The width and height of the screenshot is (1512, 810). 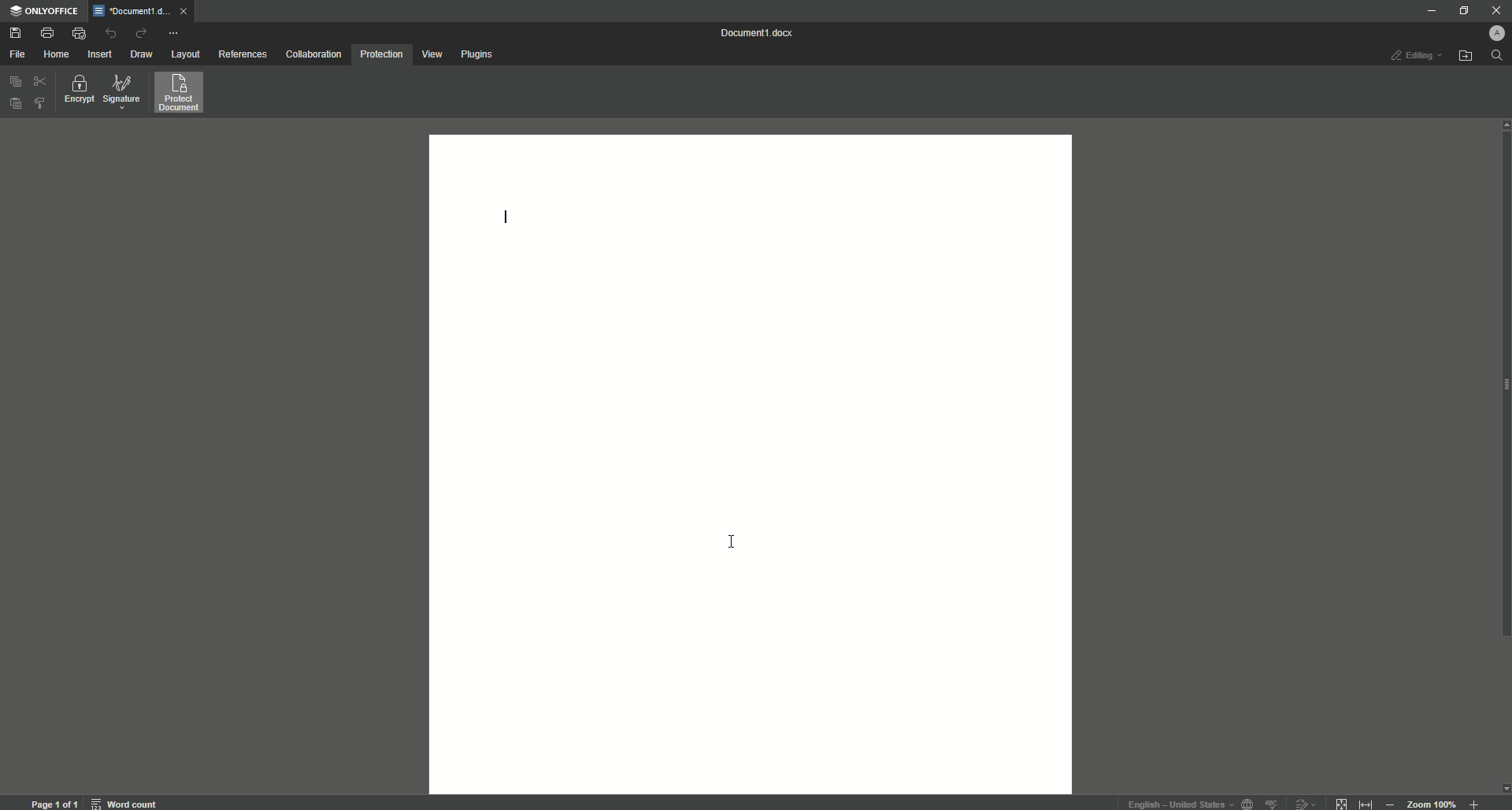 I want to click on text language, so click(x=1179, y=804).